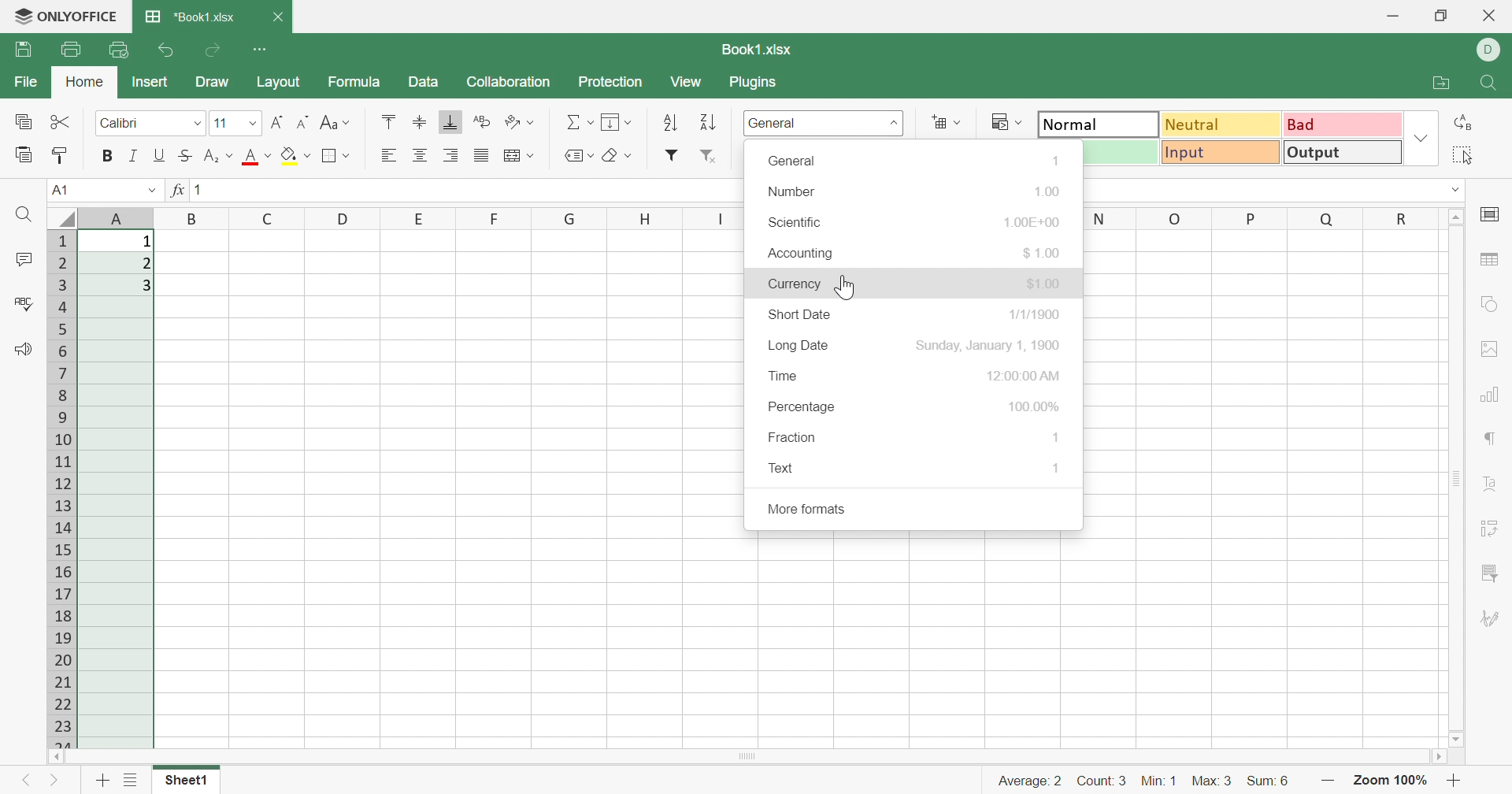 The height and width of the screenshot is (794, 1512). What do you see at coordinates (576, 155) in the screenshot?
I see `Named ranges` at bounding box center [576, 155].